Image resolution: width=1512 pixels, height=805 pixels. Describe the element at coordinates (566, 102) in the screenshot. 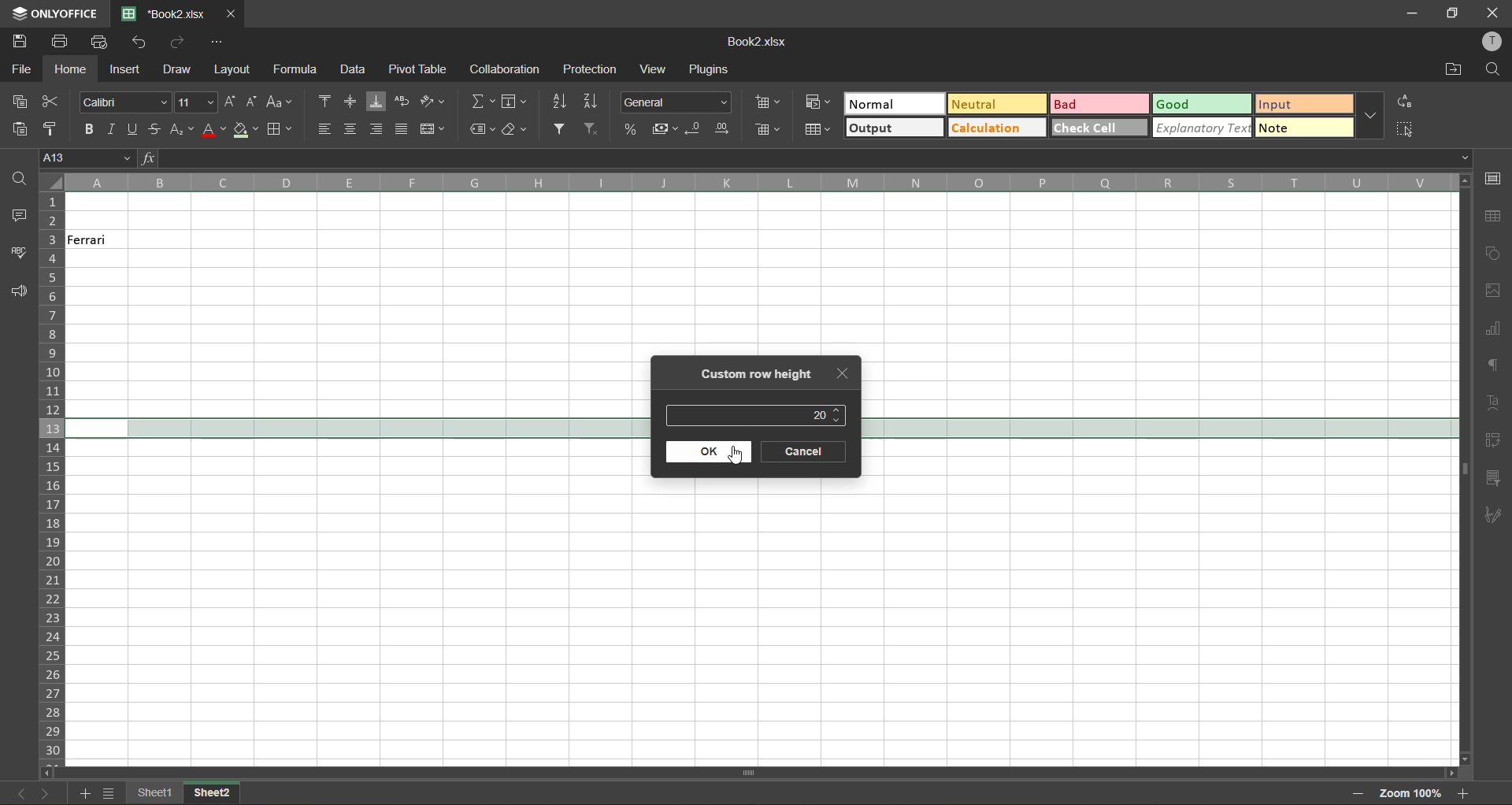

I see `sort ascending` at that location.